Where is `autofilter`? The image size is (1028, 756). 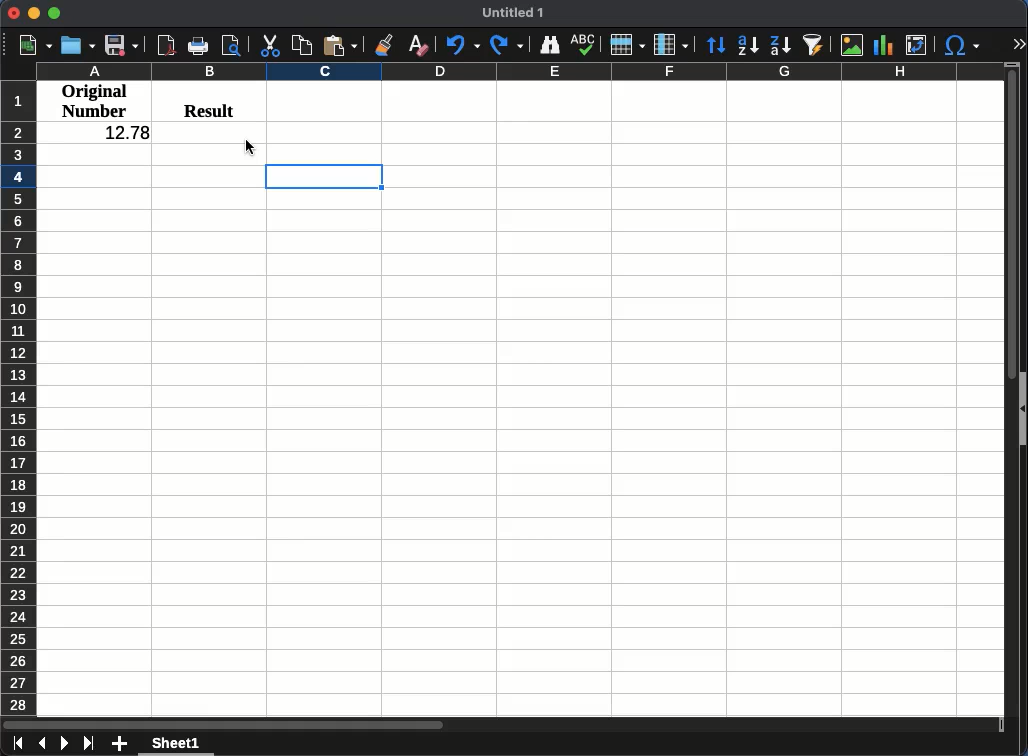 autofilter is located at coordinates (815, 44).